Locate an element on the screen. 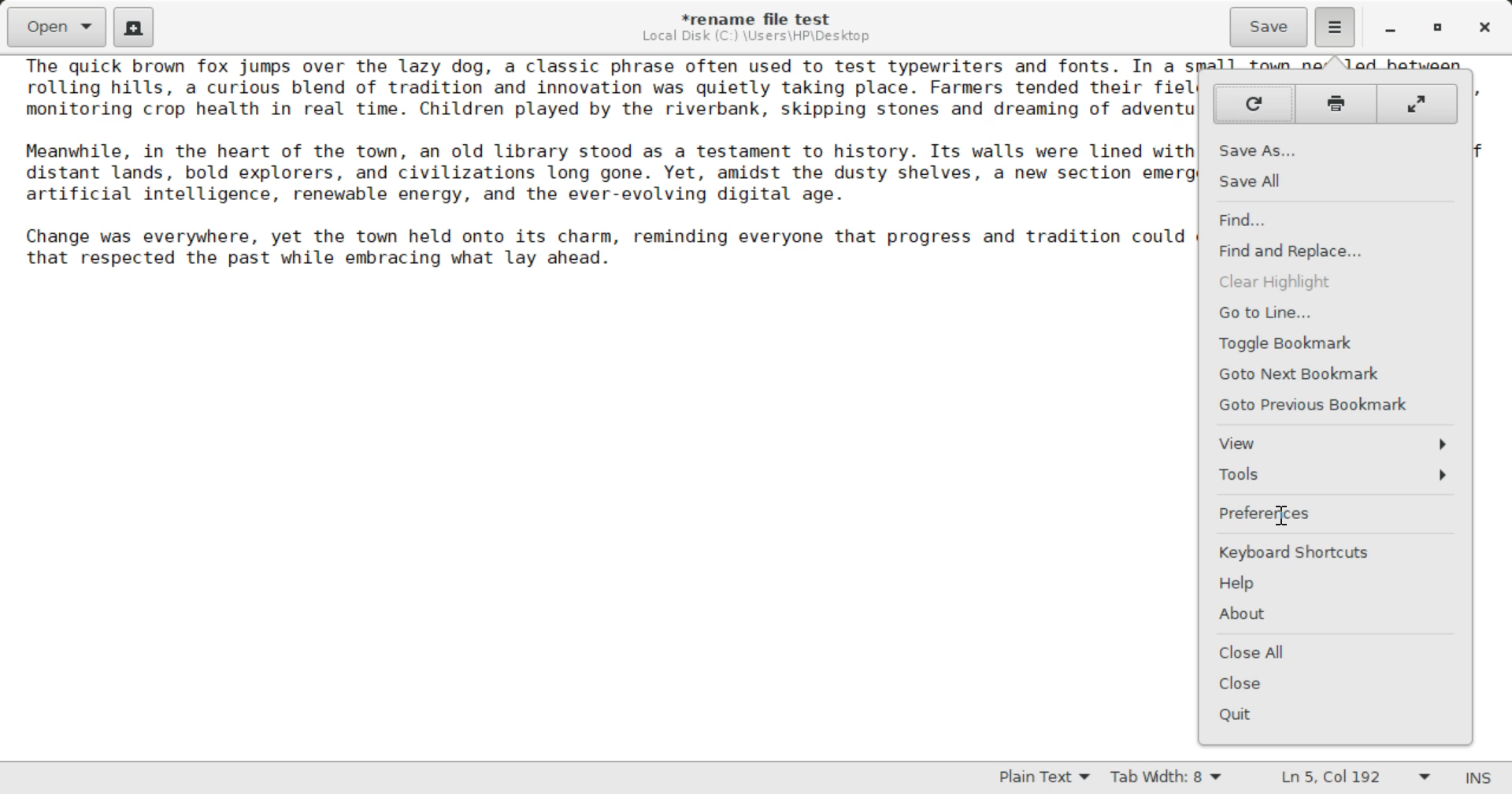  Close Window is located at coordinates (1487, 26).